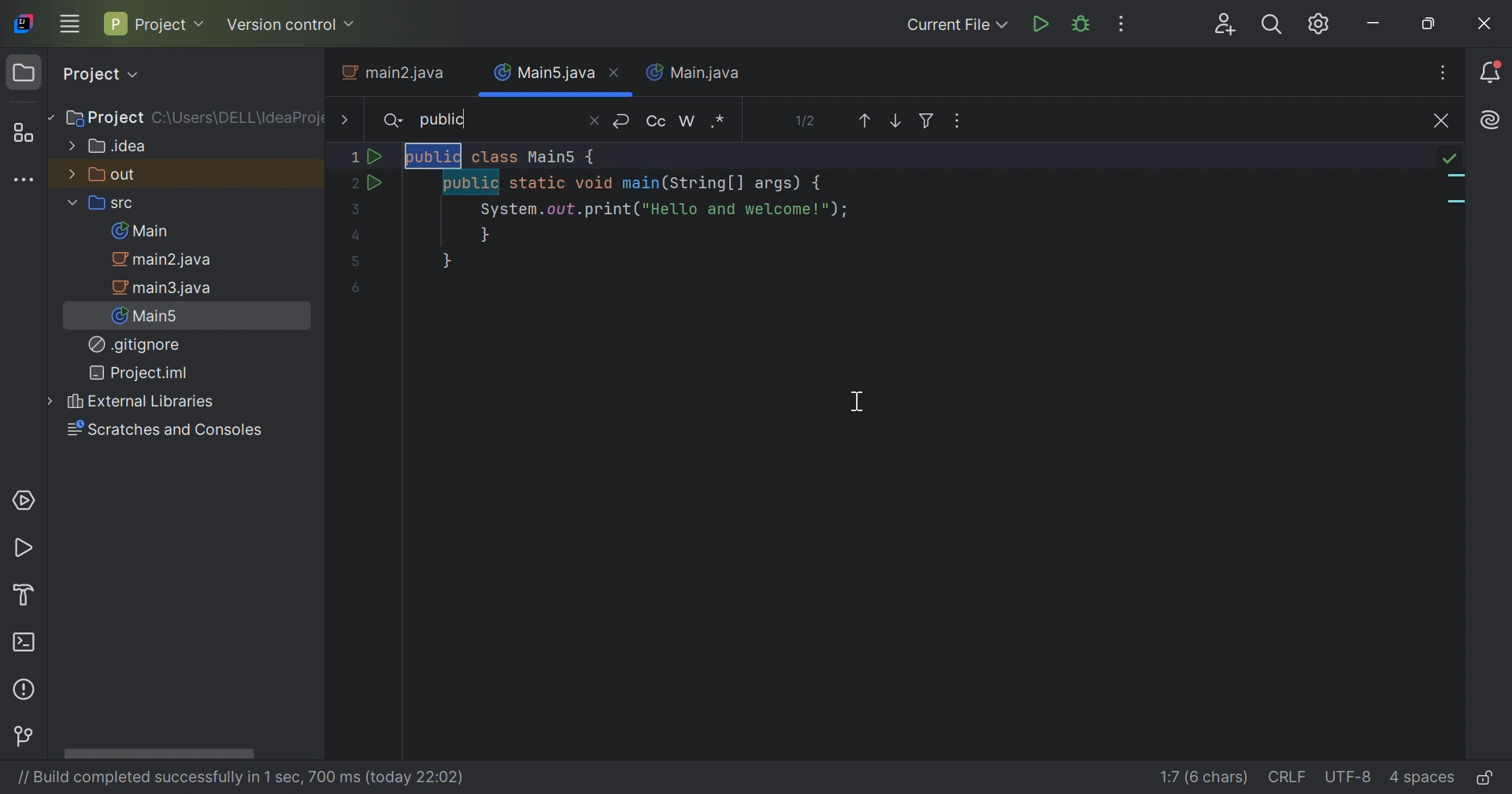 The width and height of the screenshot is (1512, 794). Describe the element at coordinates (897, 122) in the screenshot. I see `Next Occurrence` at that location.